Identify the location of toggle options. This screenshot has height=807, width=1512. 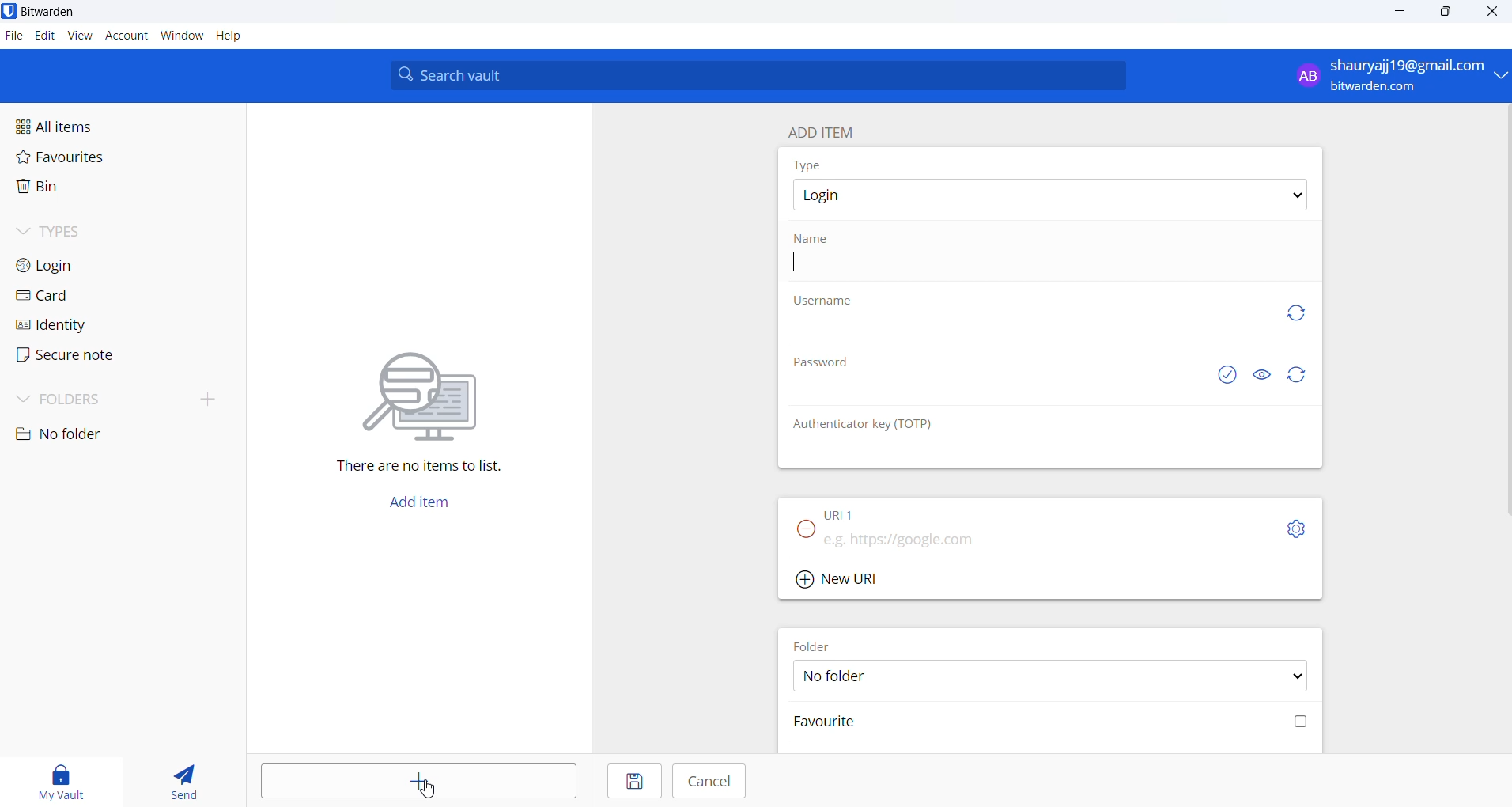
(1296, 529).